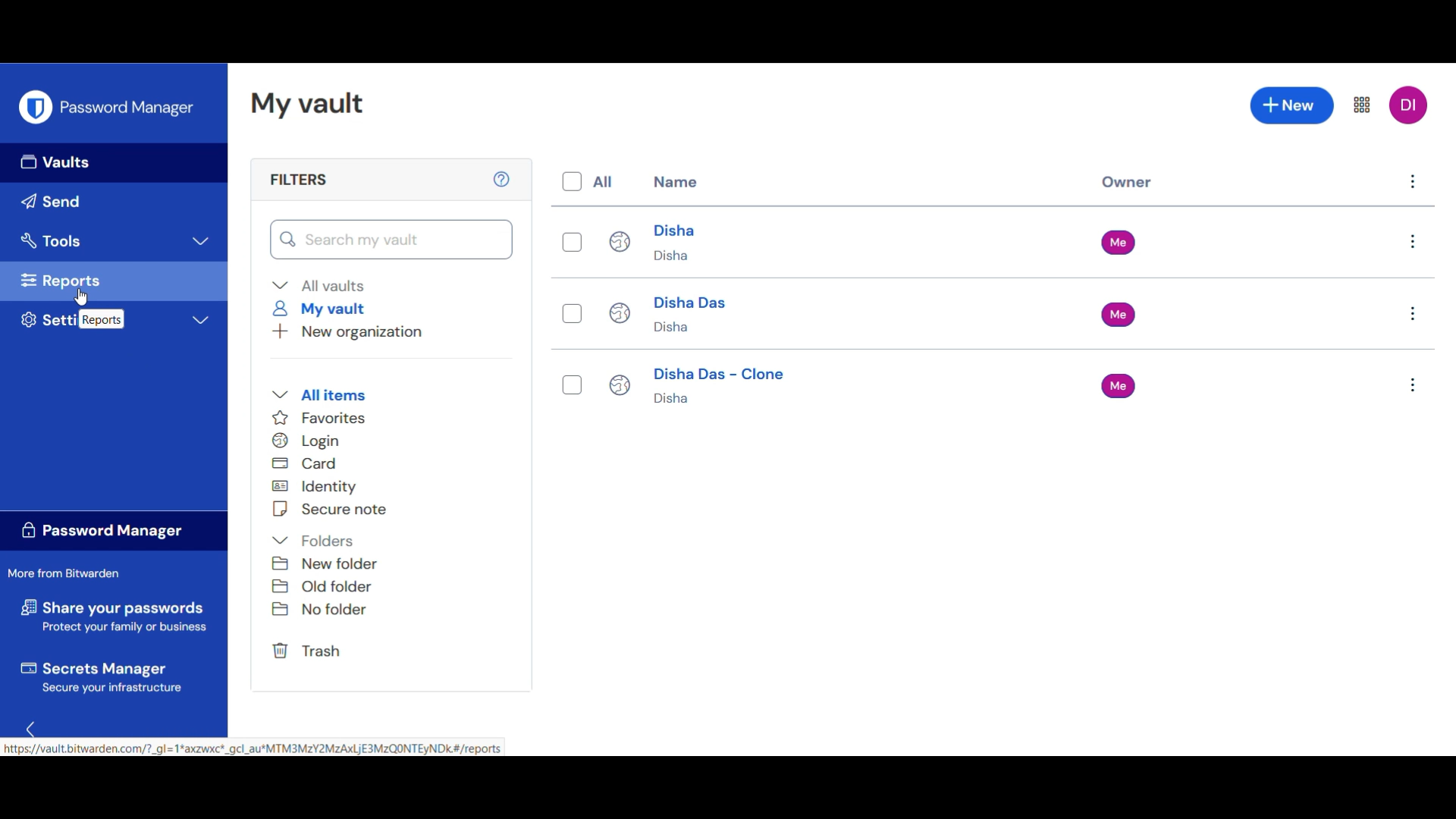  What do you see at coordinates (101, 319) in the screenshot?
I see `report hover text` at bounding box center [101, 319].